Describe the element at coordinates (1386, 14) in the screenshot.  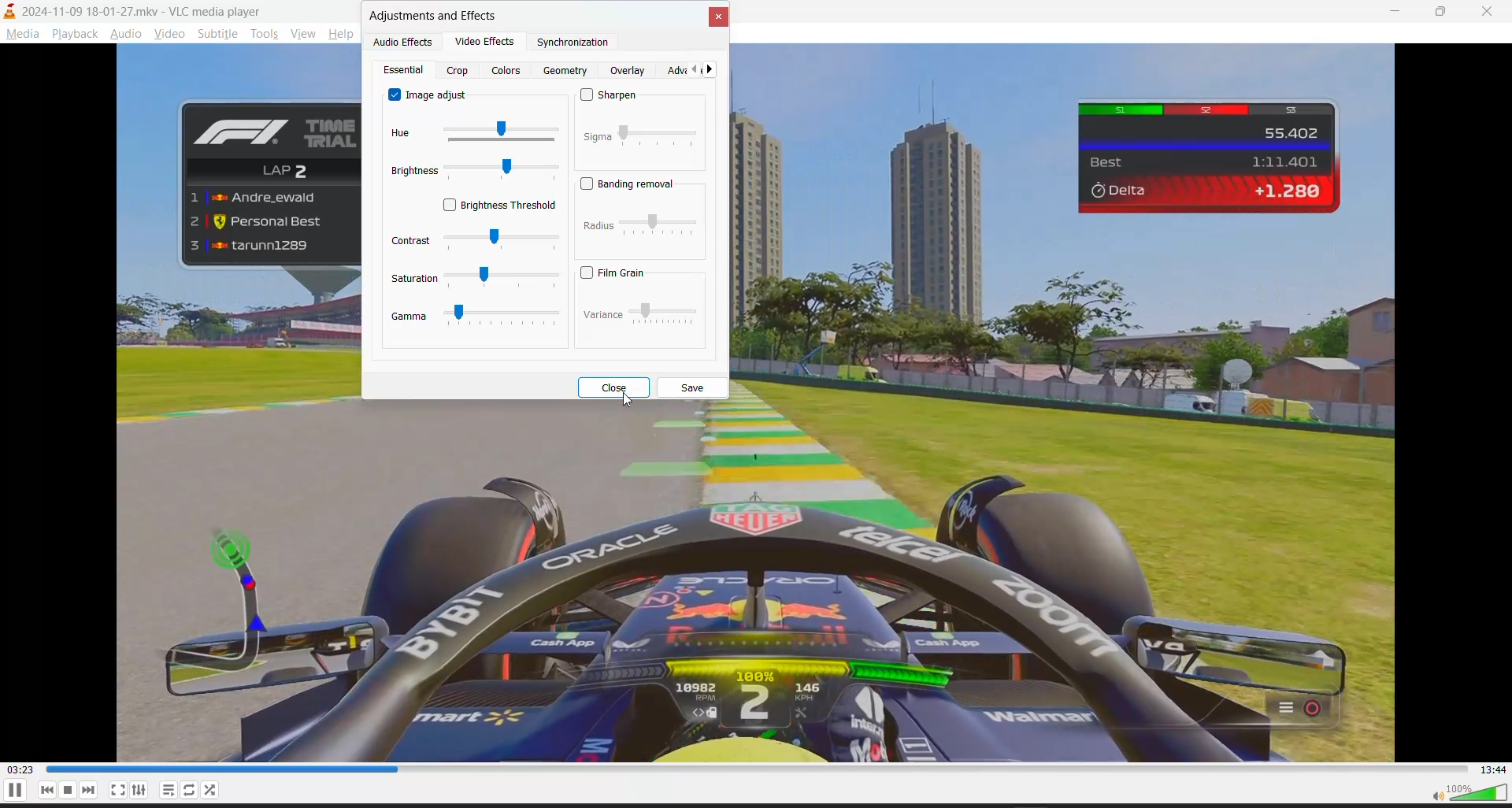
I see `minimize` at that location.